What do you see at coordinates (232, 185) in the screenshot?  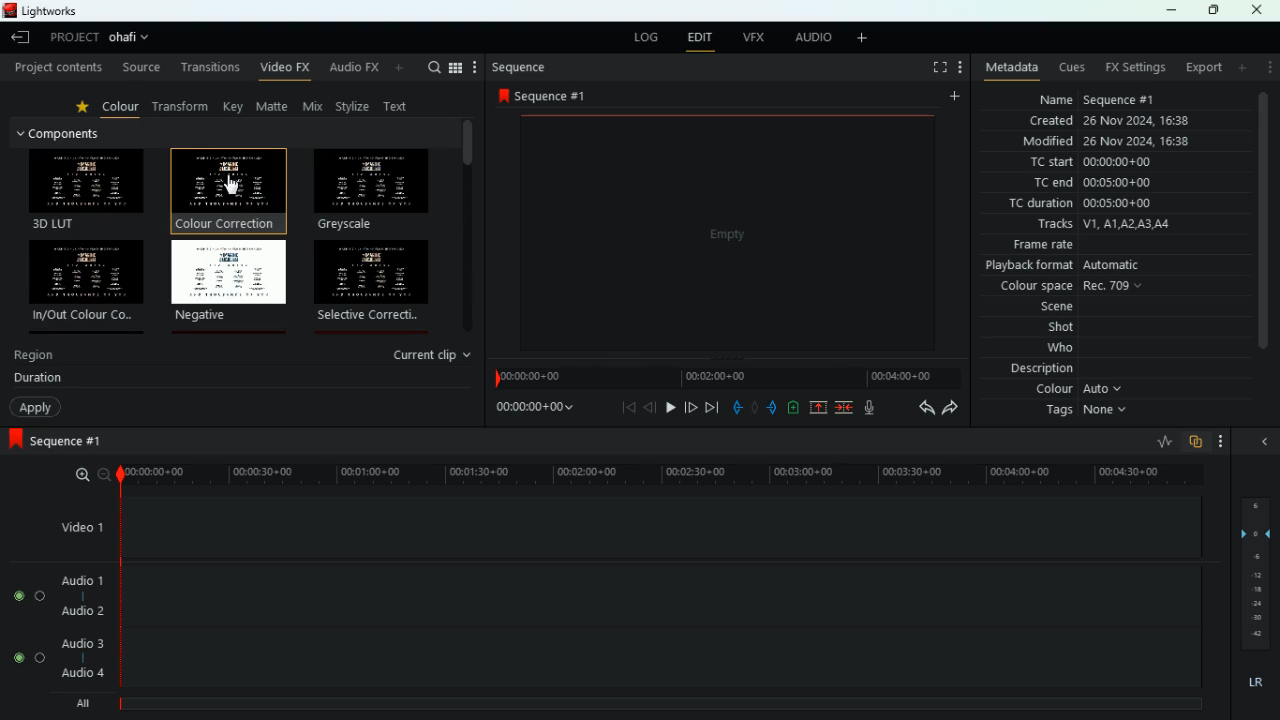 I see `cursor` at bounding box center [232, 185].